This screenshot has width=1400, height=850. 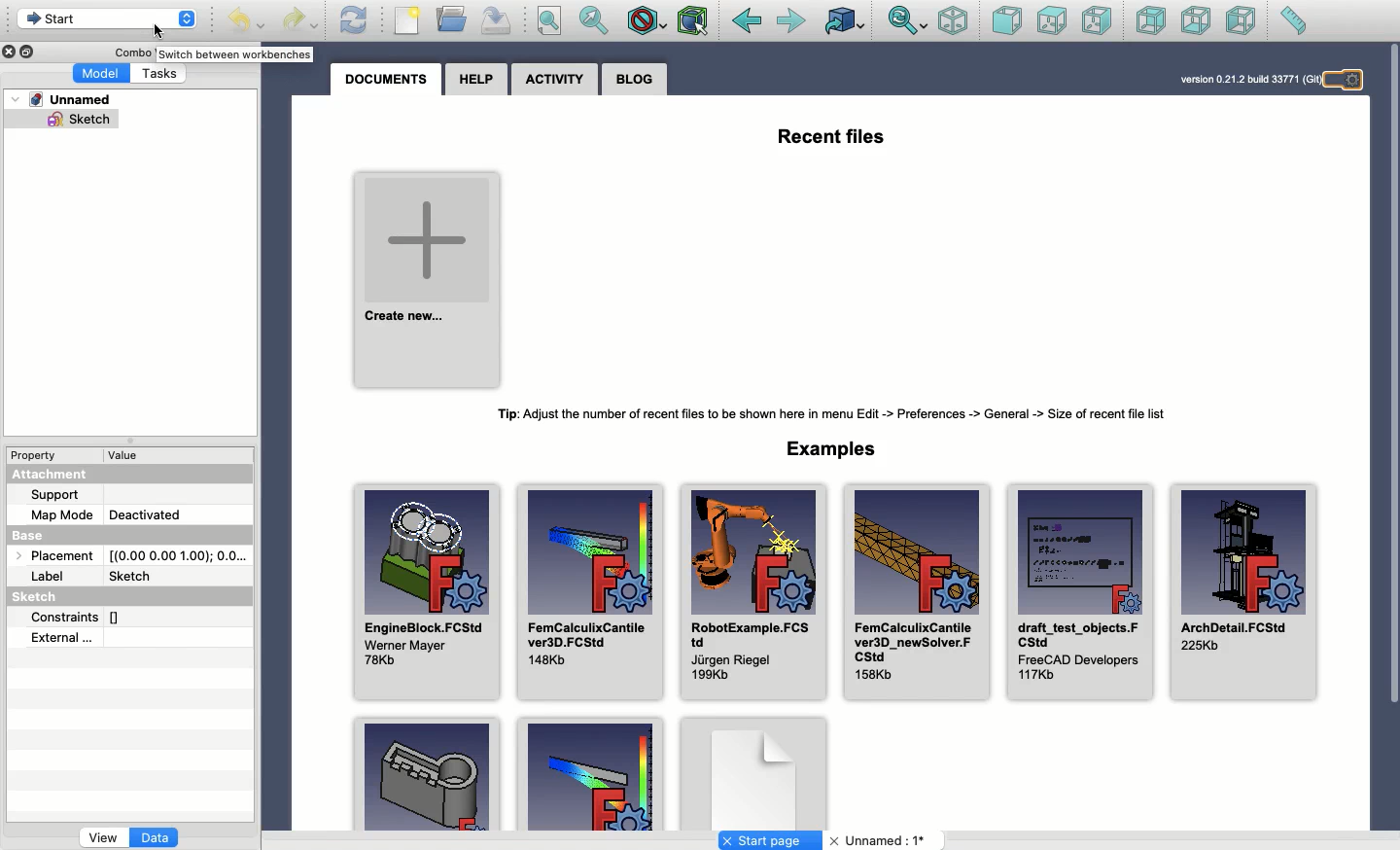 I want to click on (0.00 0.00 1.00); 0.0..., so click(x=181, y=555).